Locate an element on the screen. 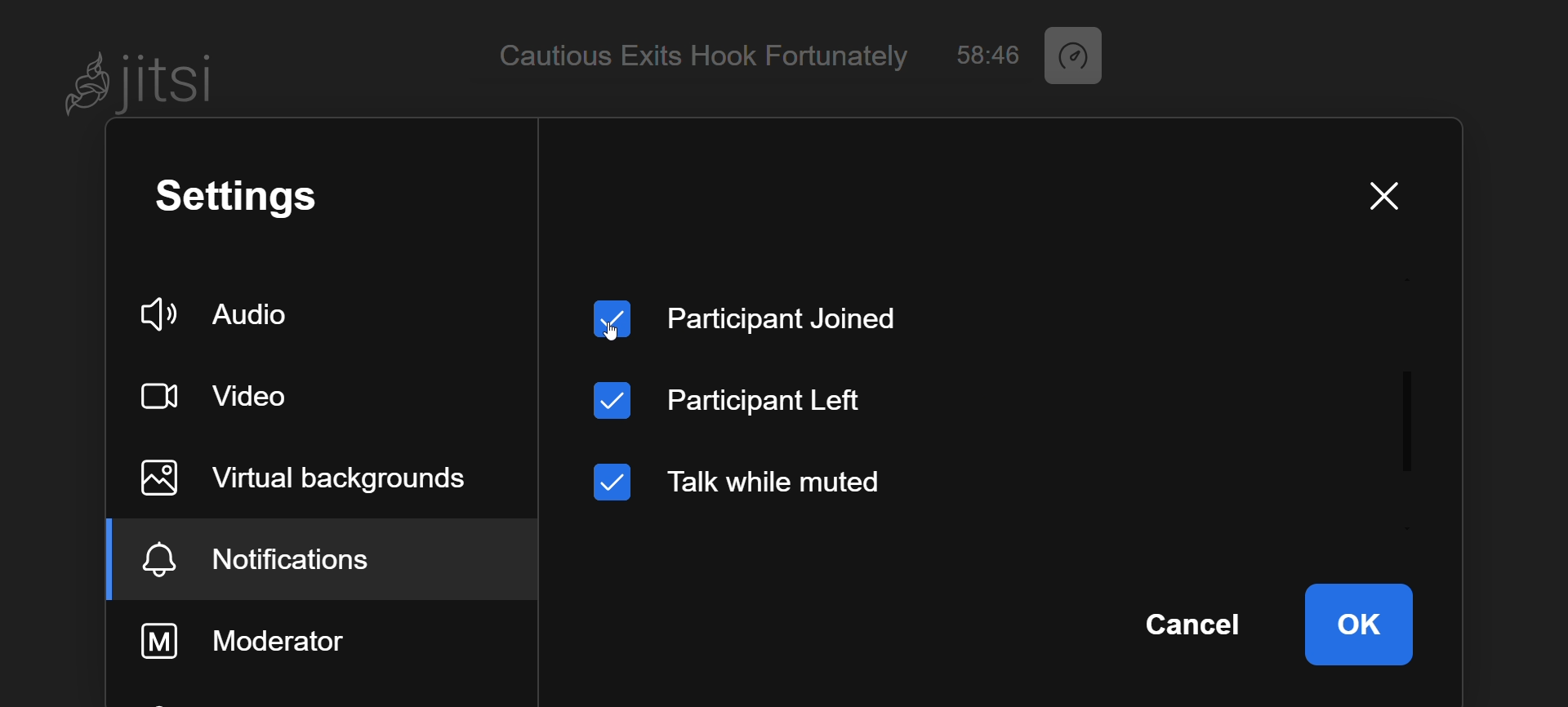  setting is located at coordinates (256, 197).